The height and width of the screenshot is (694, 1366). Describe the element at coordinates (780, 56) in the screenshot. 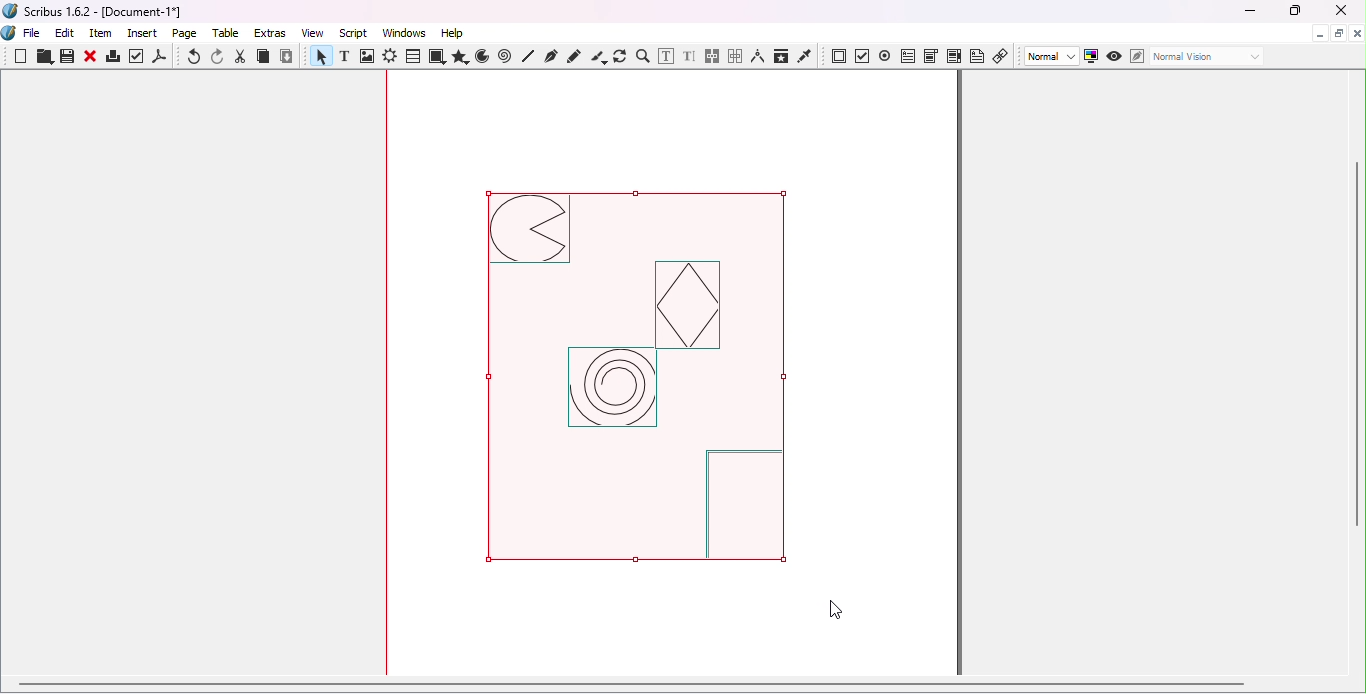

I see `Copy item properties` at that location.